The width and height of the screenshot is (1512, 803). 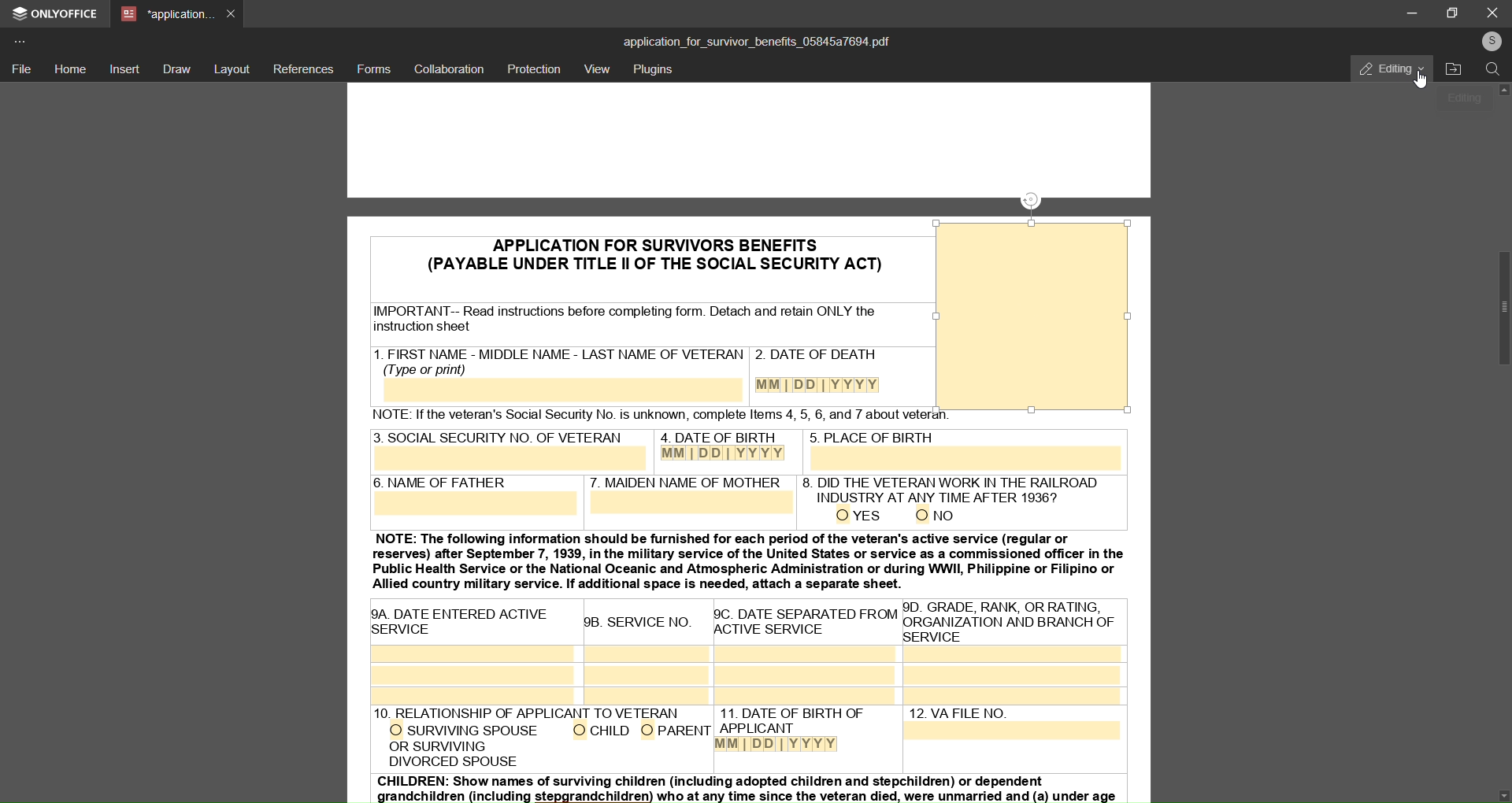 What do you see at coordinates (1494, 790) in the screenshot?
I see `move down` at bounding box center [1494, 790].